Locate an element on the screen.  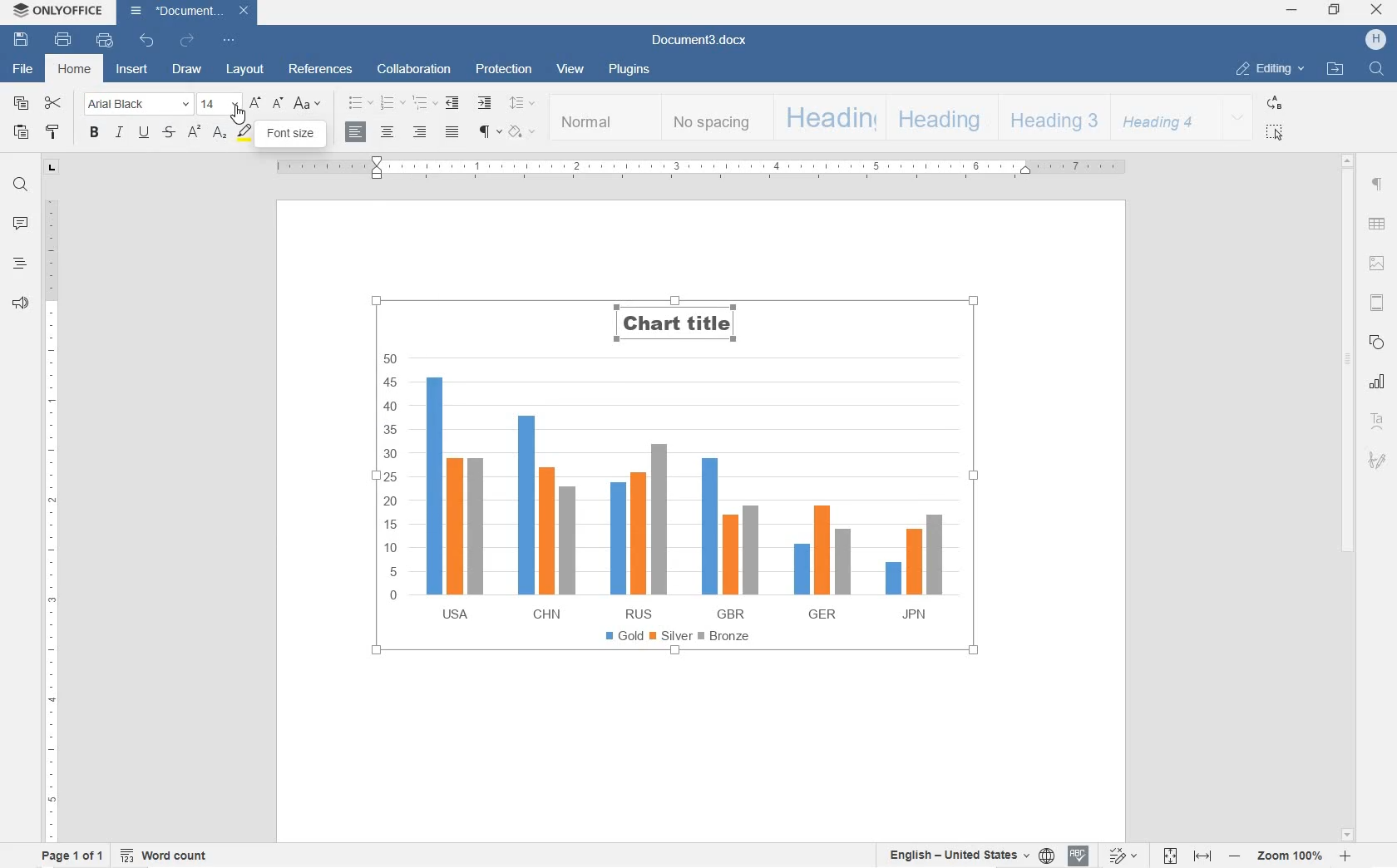
WORD COUNT is located at coordinates (168, 856).